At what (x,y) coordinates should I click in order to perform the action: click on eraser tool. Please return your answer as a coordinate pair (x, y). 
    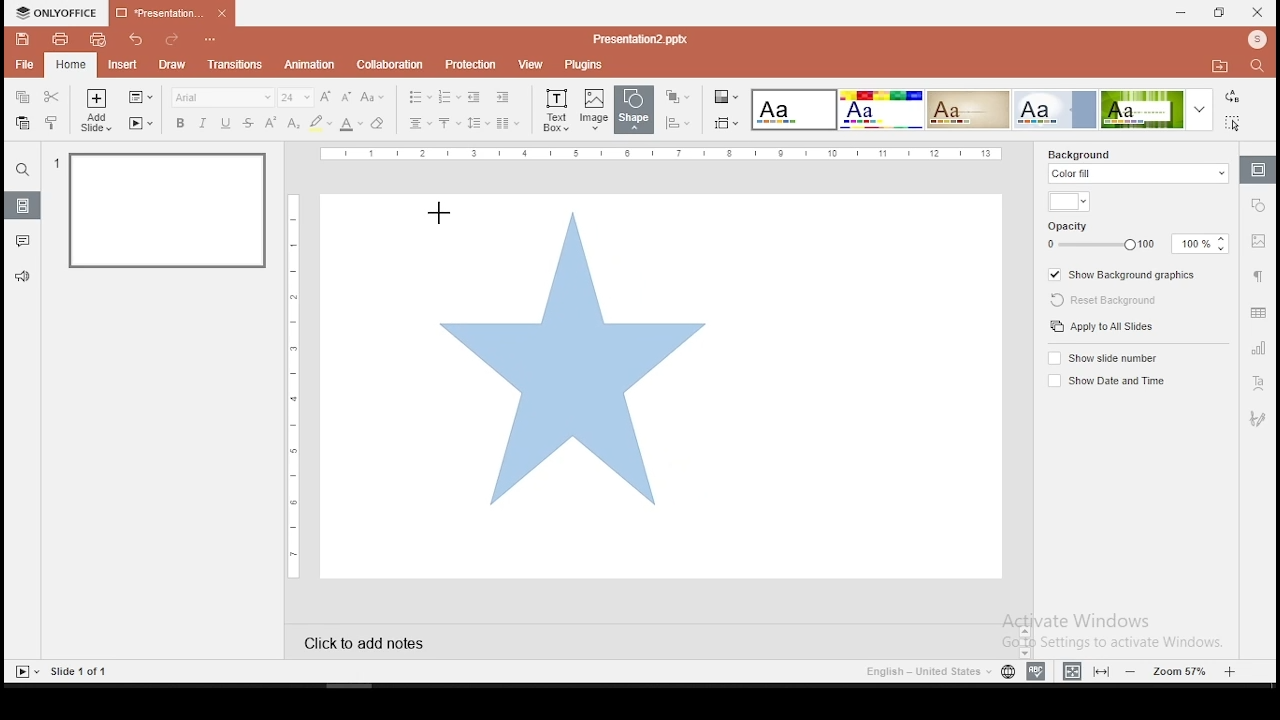
    Looking at the image, I should click on (377, 124).